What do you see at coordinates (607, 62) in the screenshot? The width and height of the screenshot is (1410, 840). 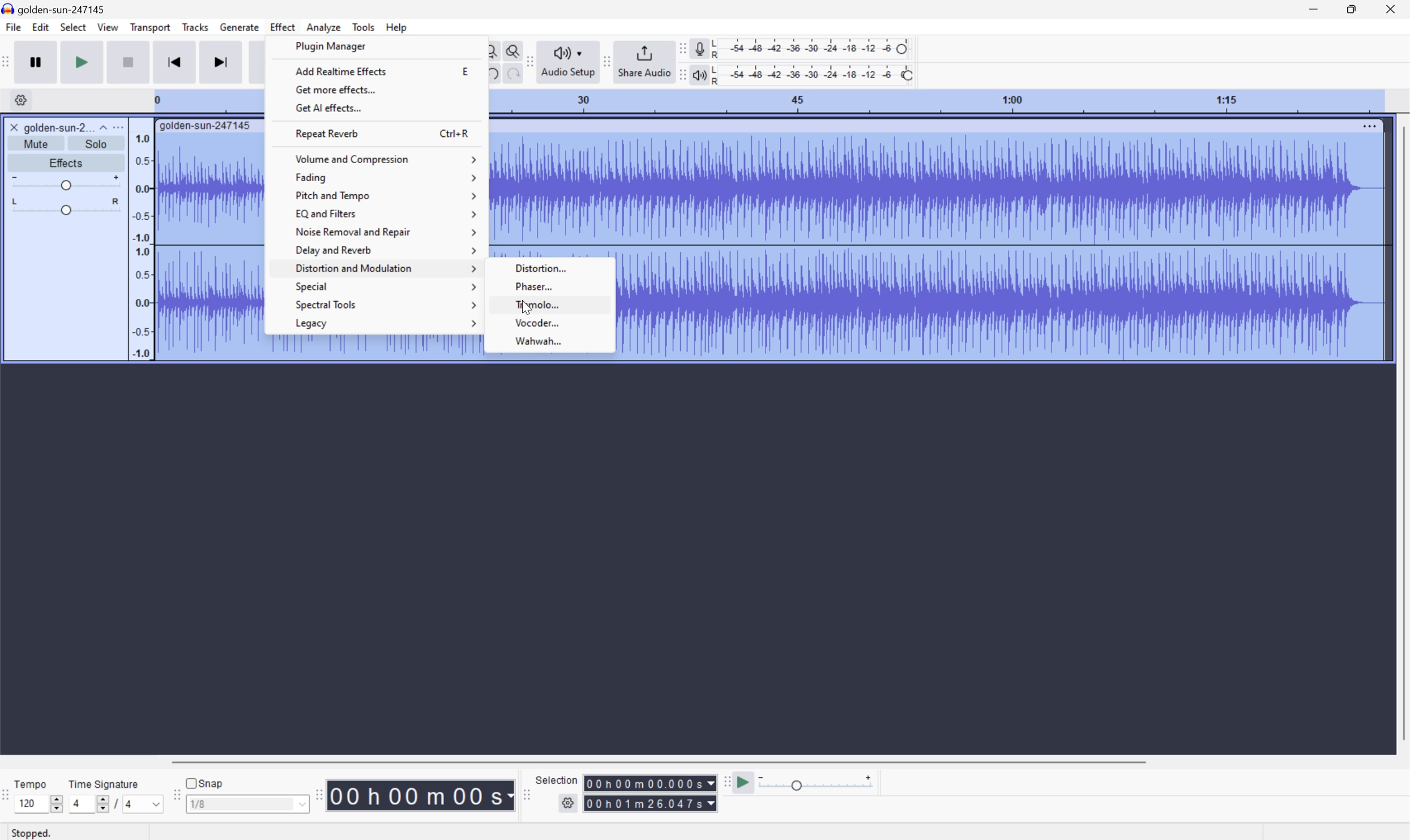 I see `Audacity share audio toolbar` at bounding box center [607, 62].